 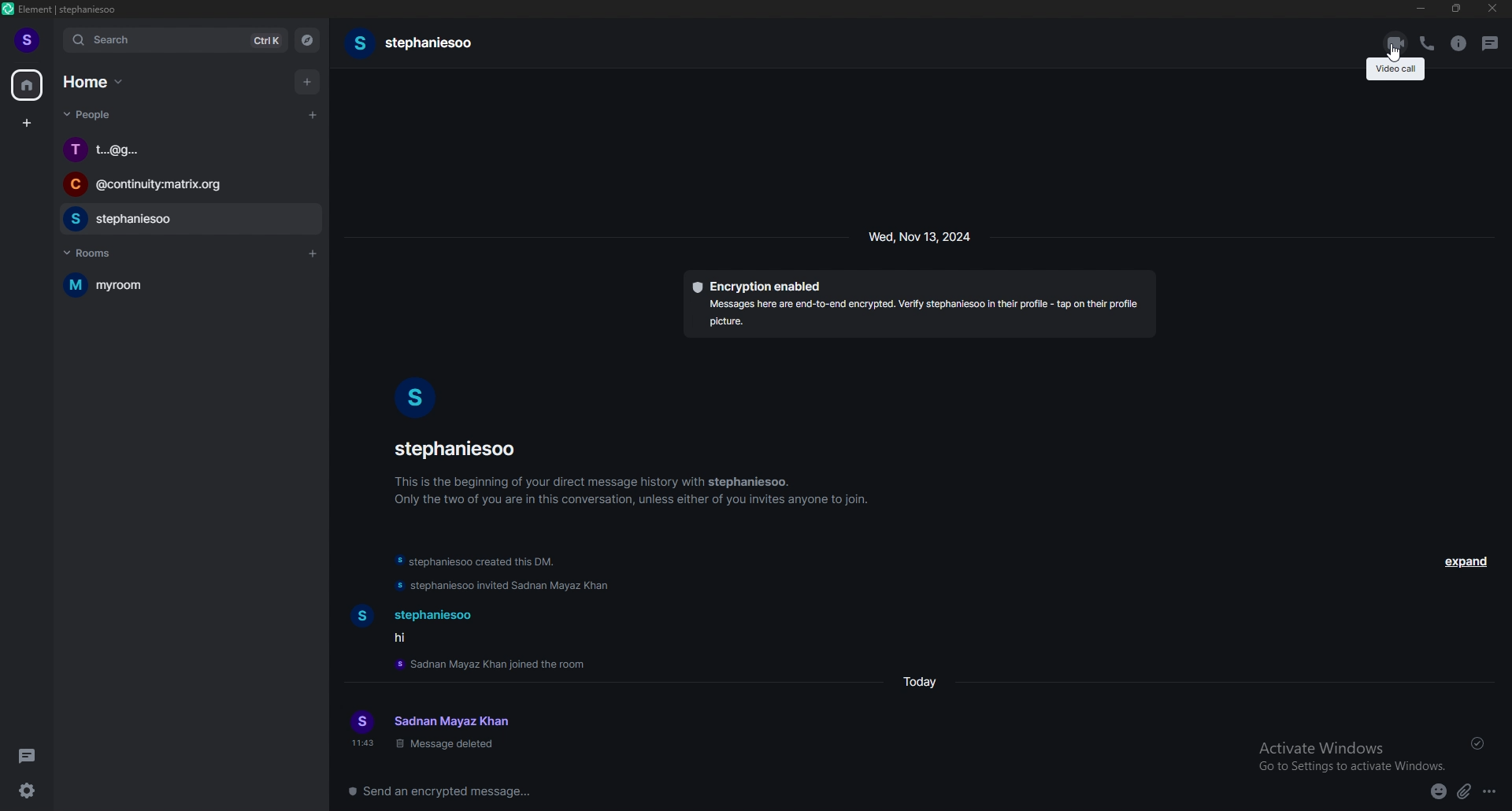 I want to click on home, so click(x=95, y=82).